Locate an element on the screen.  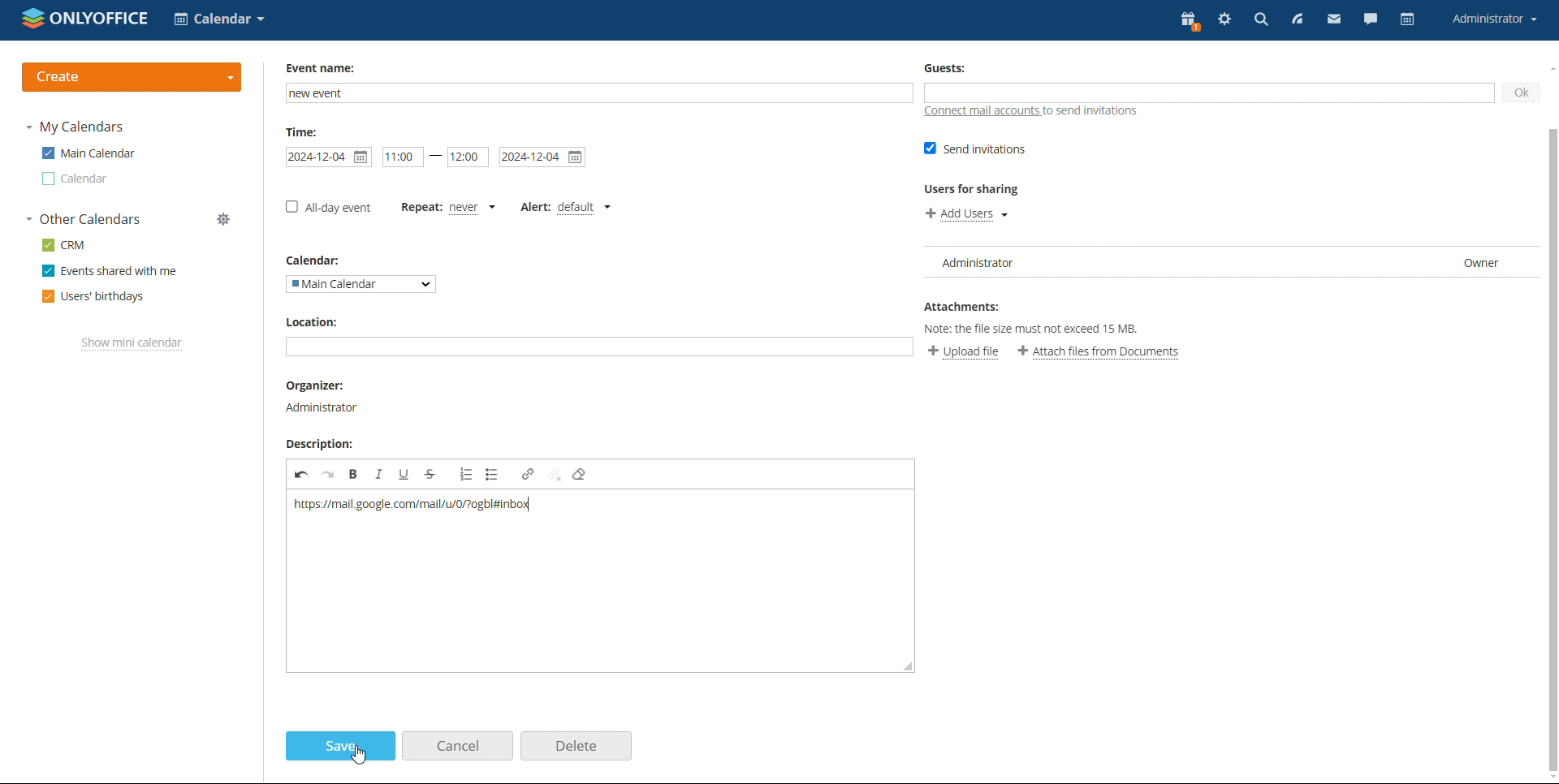
feed is located at coordinates (1298, 20).